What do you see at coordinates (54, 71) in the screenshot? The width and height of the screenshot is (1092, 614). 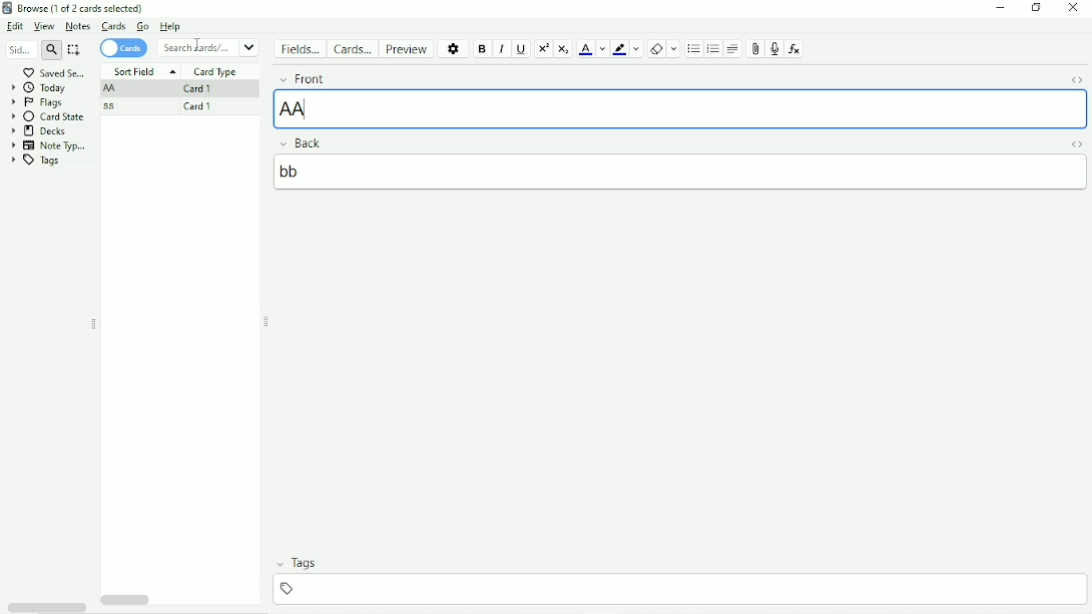 I see `Saved search` at bounding box center [54, 71].